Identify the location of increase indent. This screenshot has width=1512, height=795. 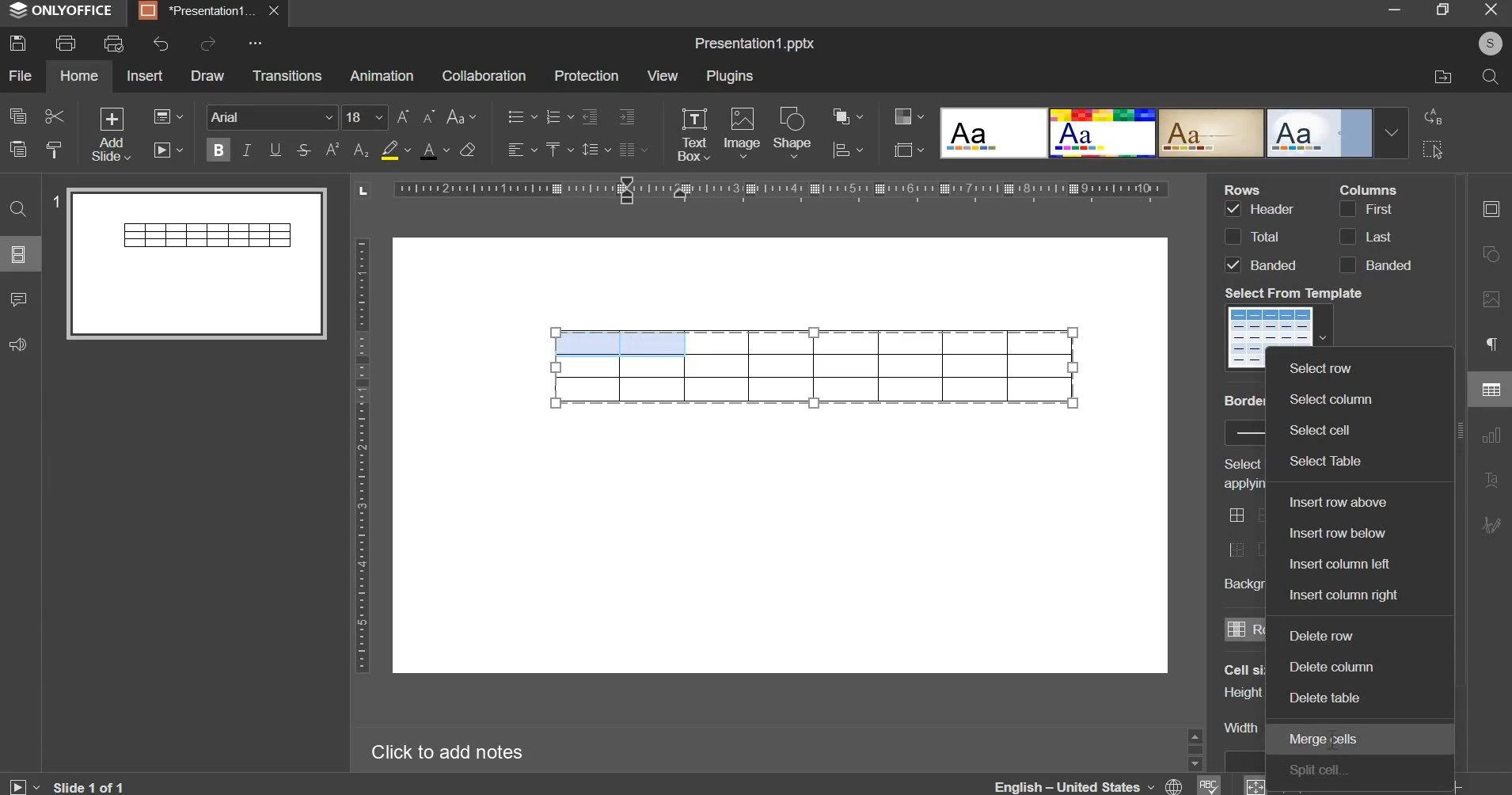
(628, 116).